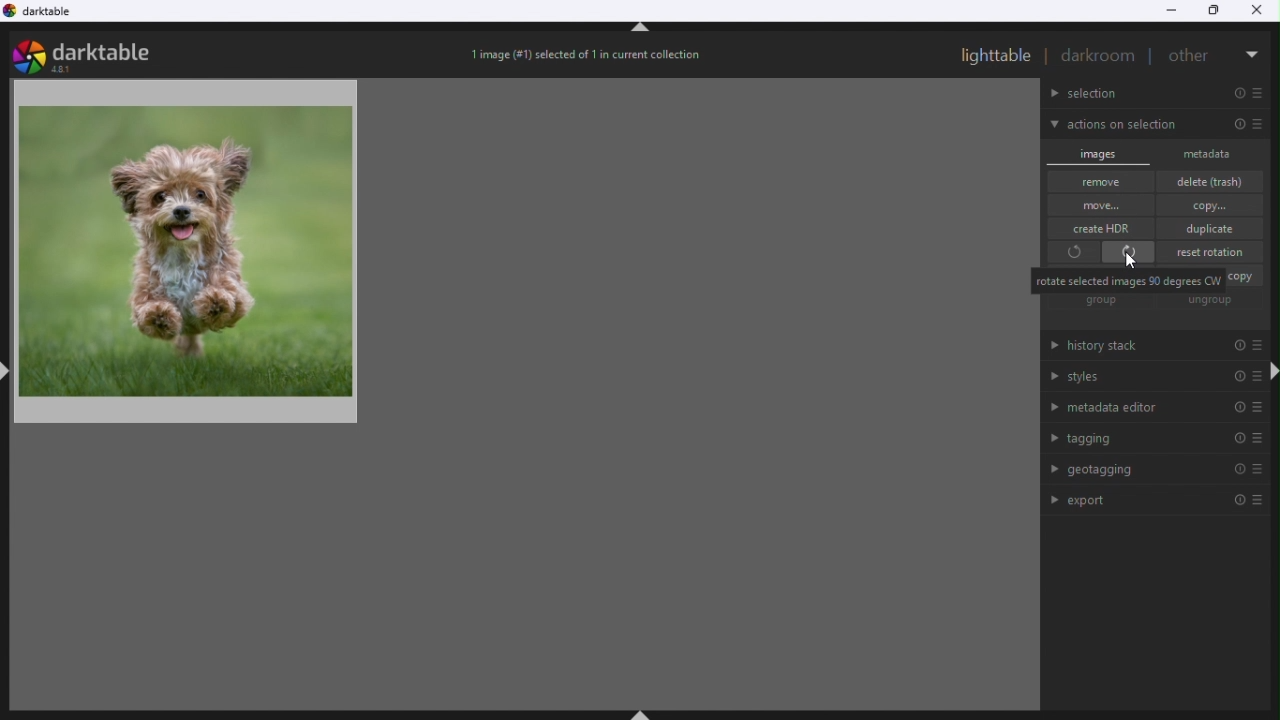 This screenshot has height=720, width=1280. I want to click on remove, so click(1102, 182).